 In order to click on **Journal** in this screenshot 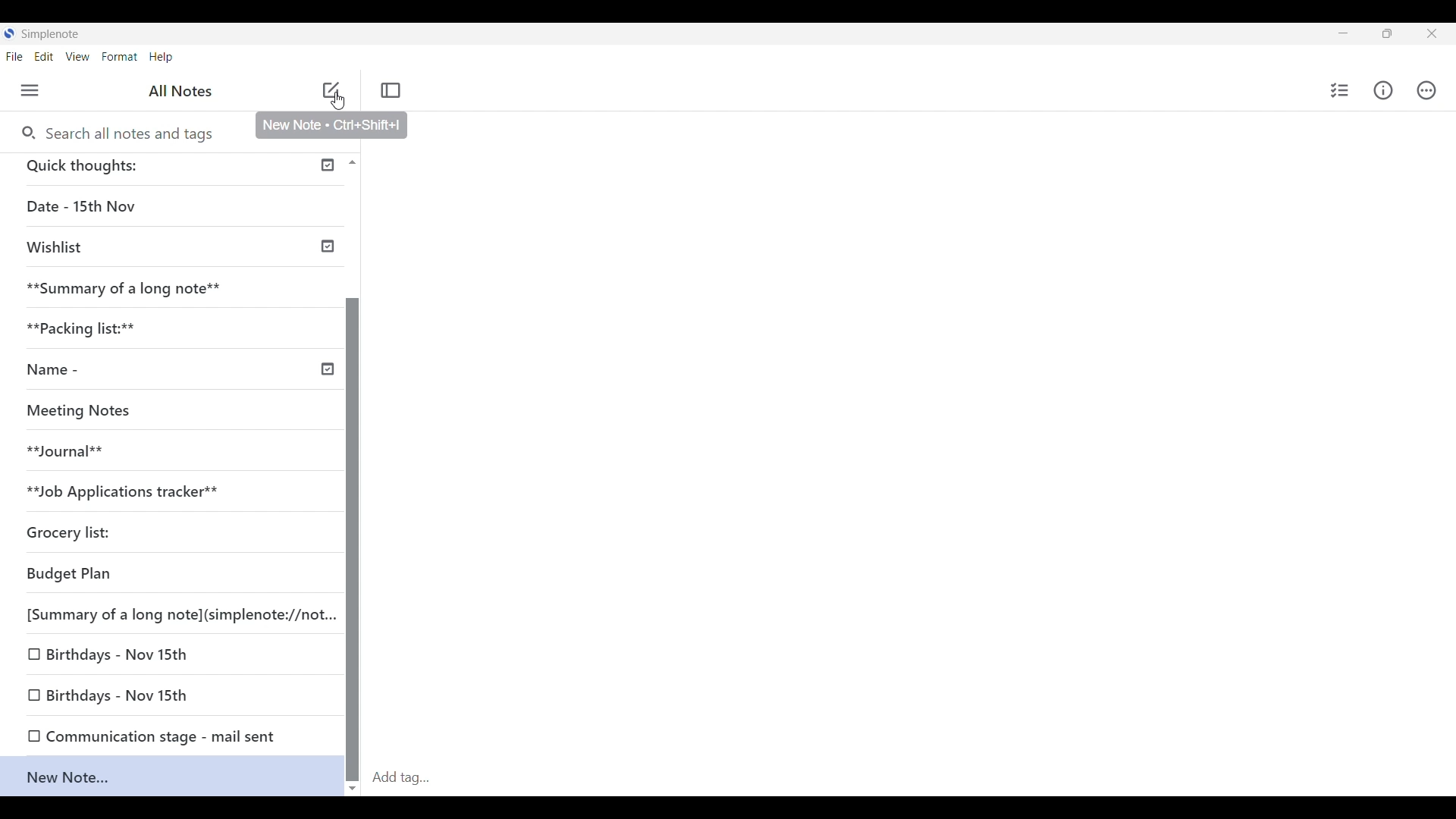, I will do `click(168, 450)`.